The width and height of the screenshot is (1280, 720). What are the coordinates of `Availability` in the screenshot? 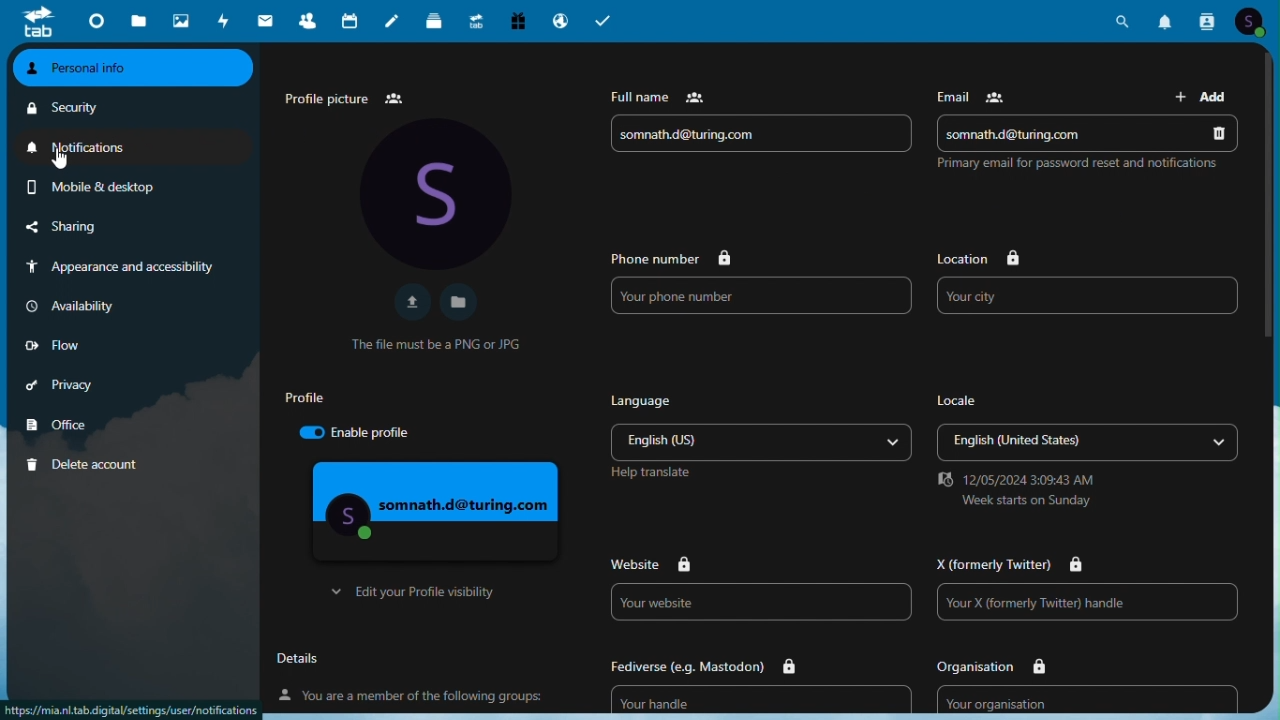 It's located at (73, 304).